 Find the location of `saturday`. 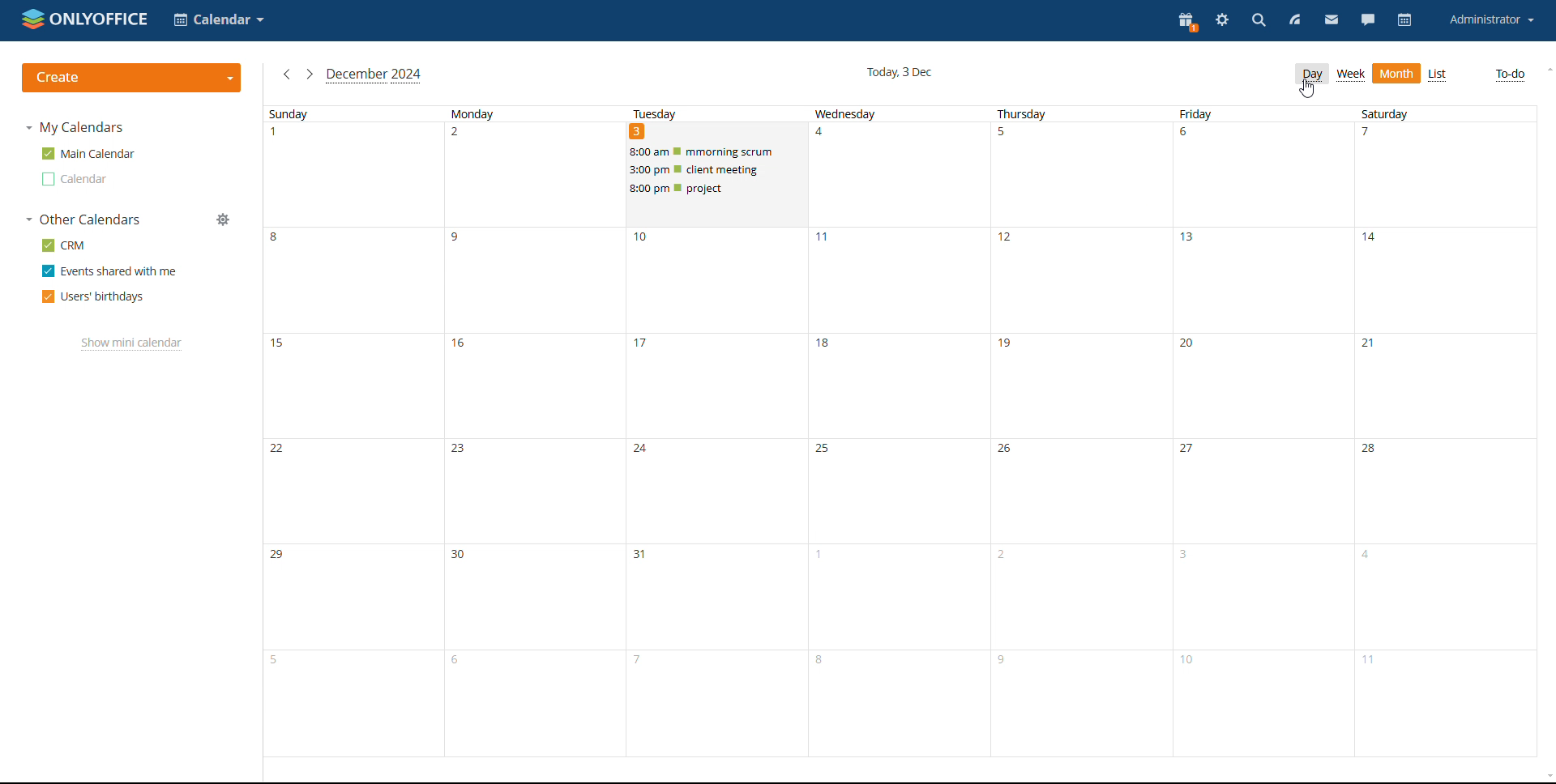

saturday is located at coordinates (1443, 431).